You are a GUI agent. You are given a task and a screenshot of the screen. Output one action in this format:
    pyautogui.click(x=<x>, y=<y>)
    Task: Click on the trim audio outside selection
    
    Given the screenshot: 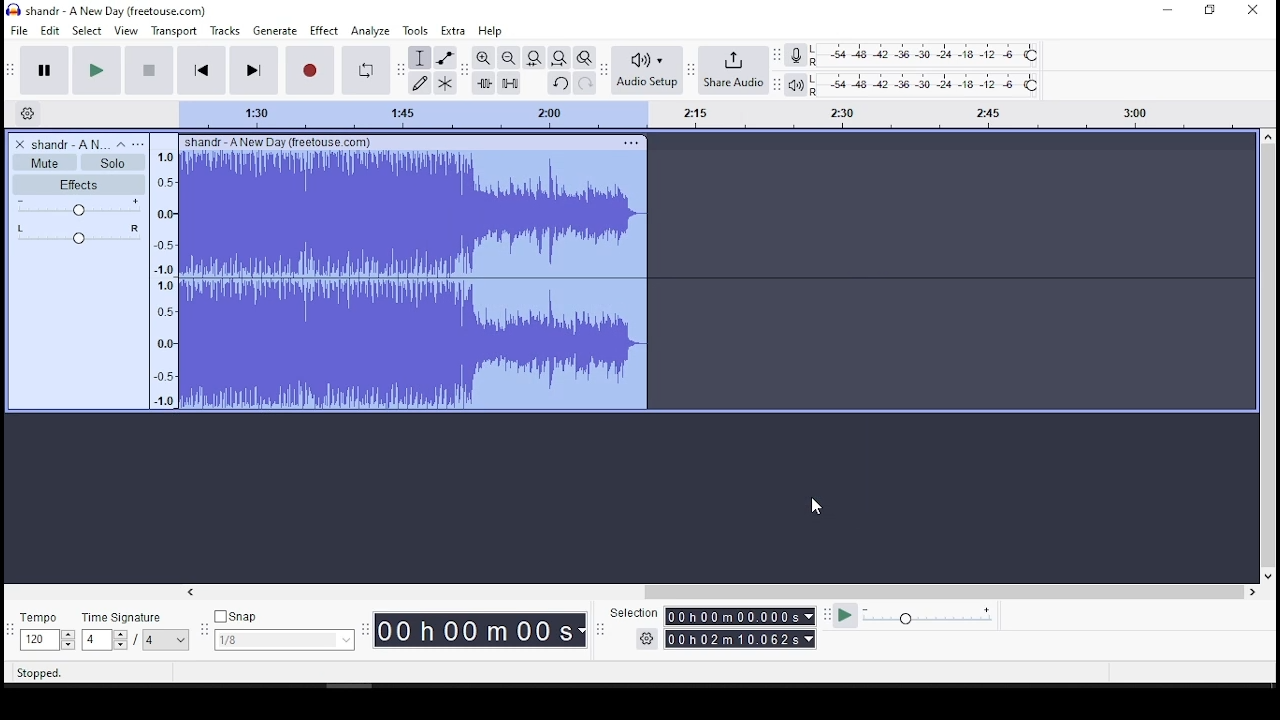 What is the action you would take?
    pyautogui.click(x=484, y=83)
    